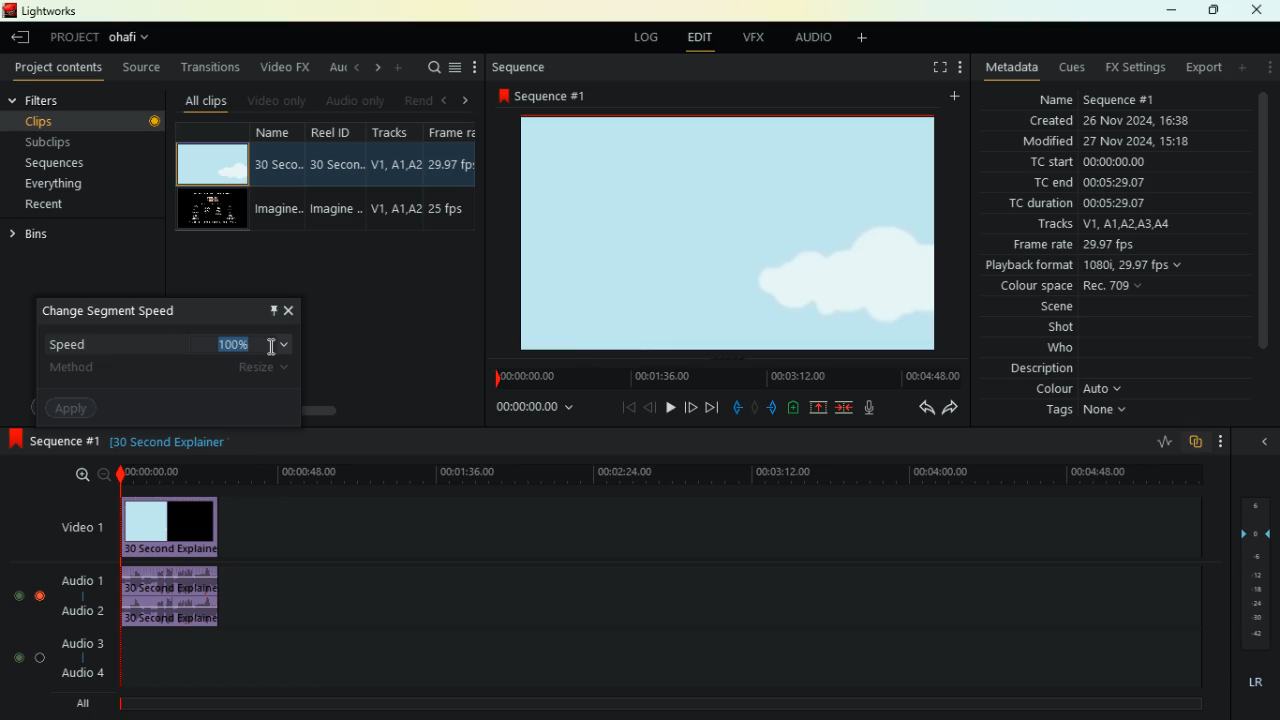  I want to click on lightworks, so click(49, 11).